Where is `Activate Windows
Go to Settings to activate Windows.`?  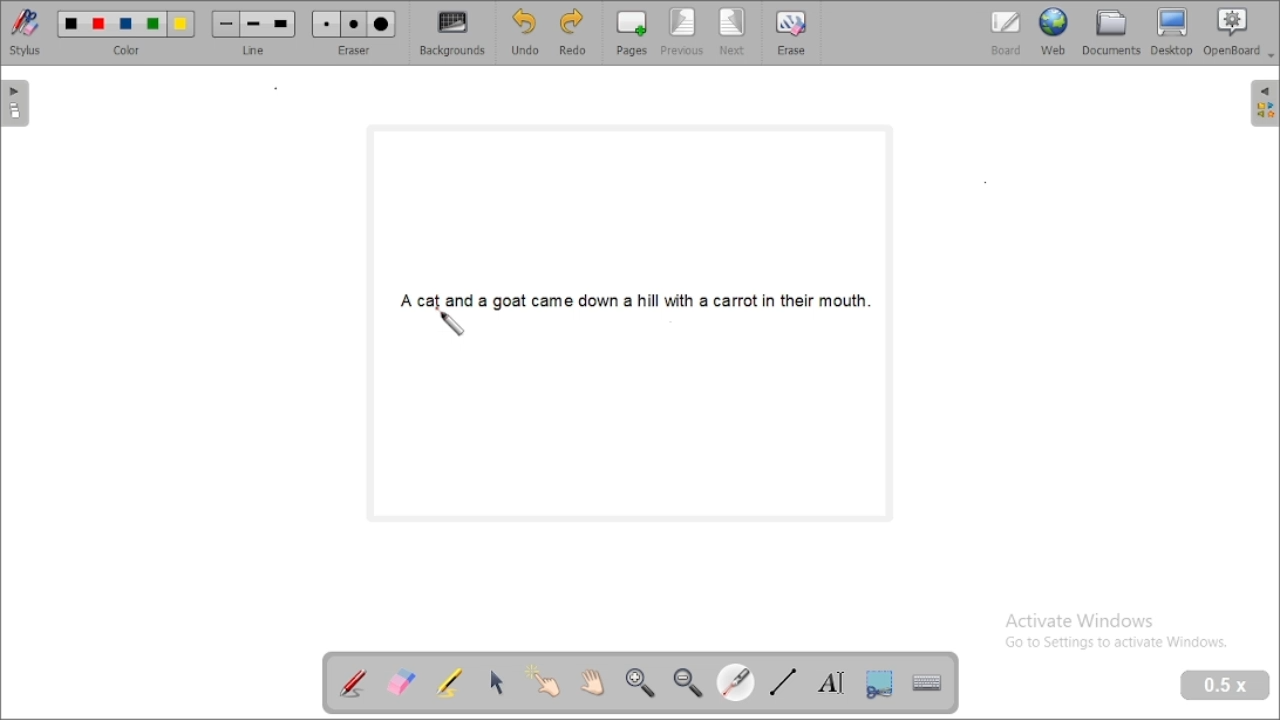 Activate Windows
Go to Settings to activate Windows. is located at coordinates (1118, 633).